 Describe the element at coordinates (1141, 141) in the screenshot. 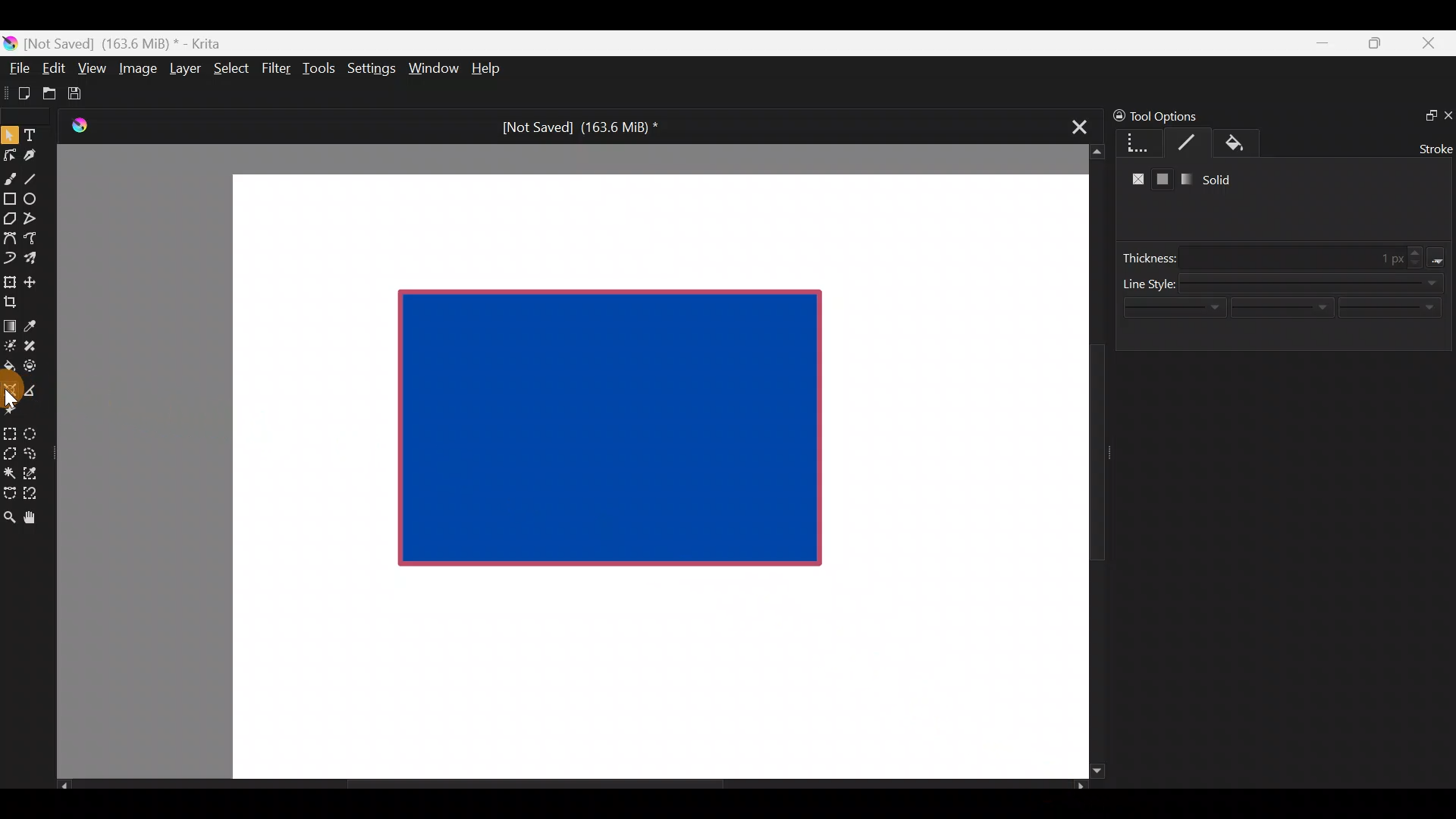

I see `Geometry` at that location.